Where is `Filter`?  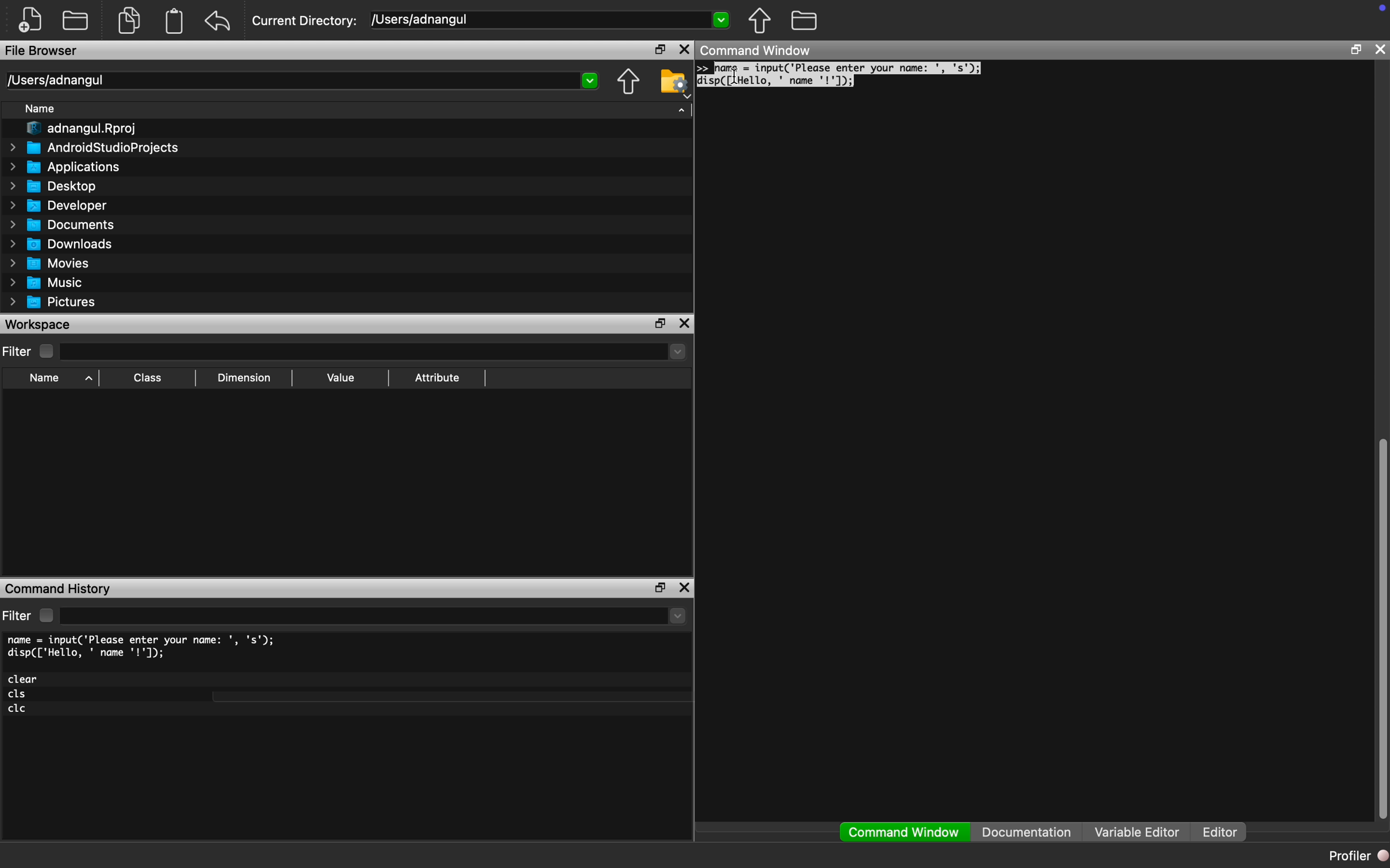
Filter is located at coordinates (30, 351).